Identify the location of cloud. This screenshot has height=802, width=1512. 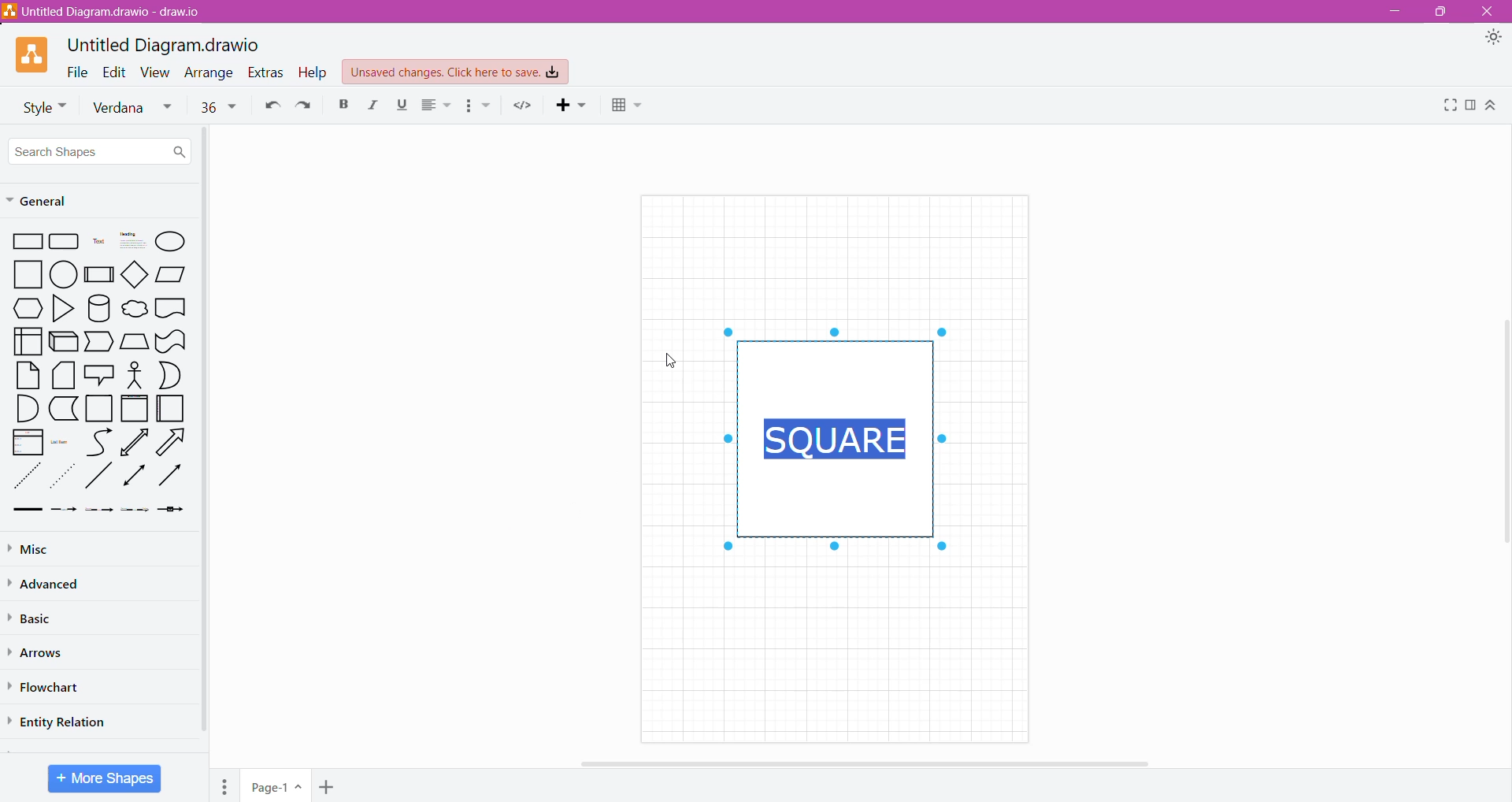
(134, 307).